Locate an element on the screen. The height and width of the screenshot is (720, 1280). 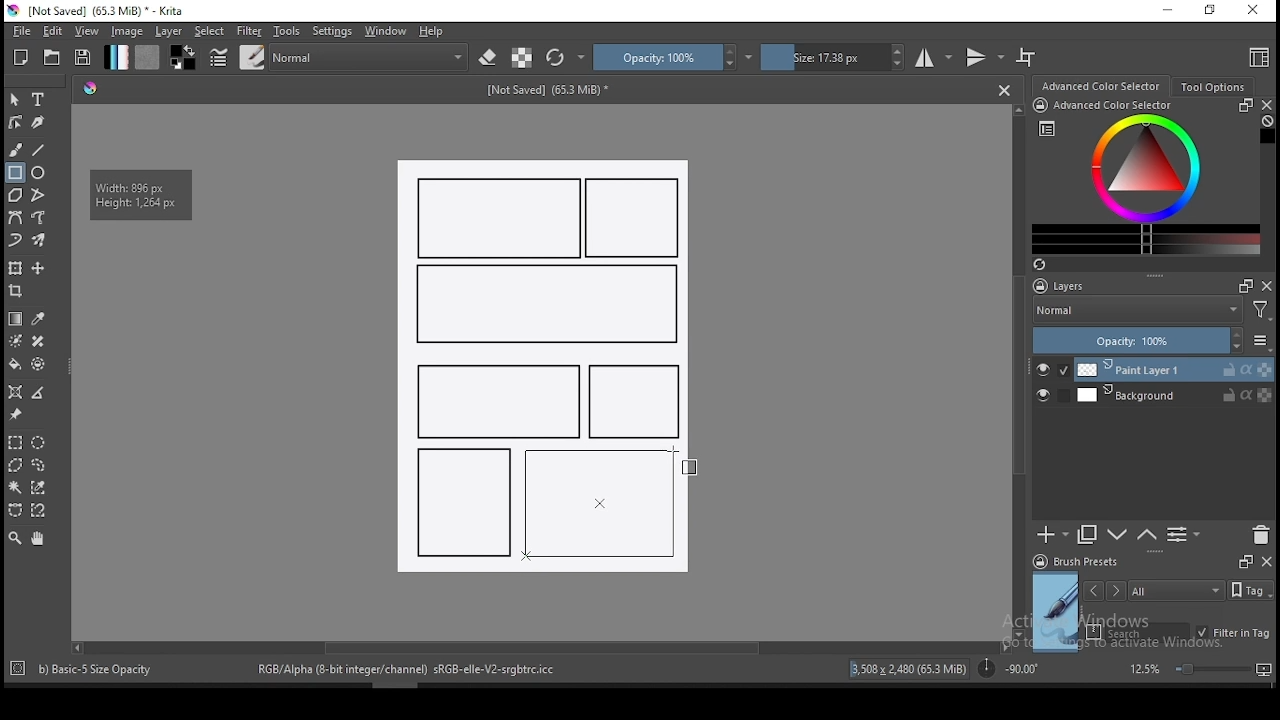
blending mode is located at coordinates (370, 57).